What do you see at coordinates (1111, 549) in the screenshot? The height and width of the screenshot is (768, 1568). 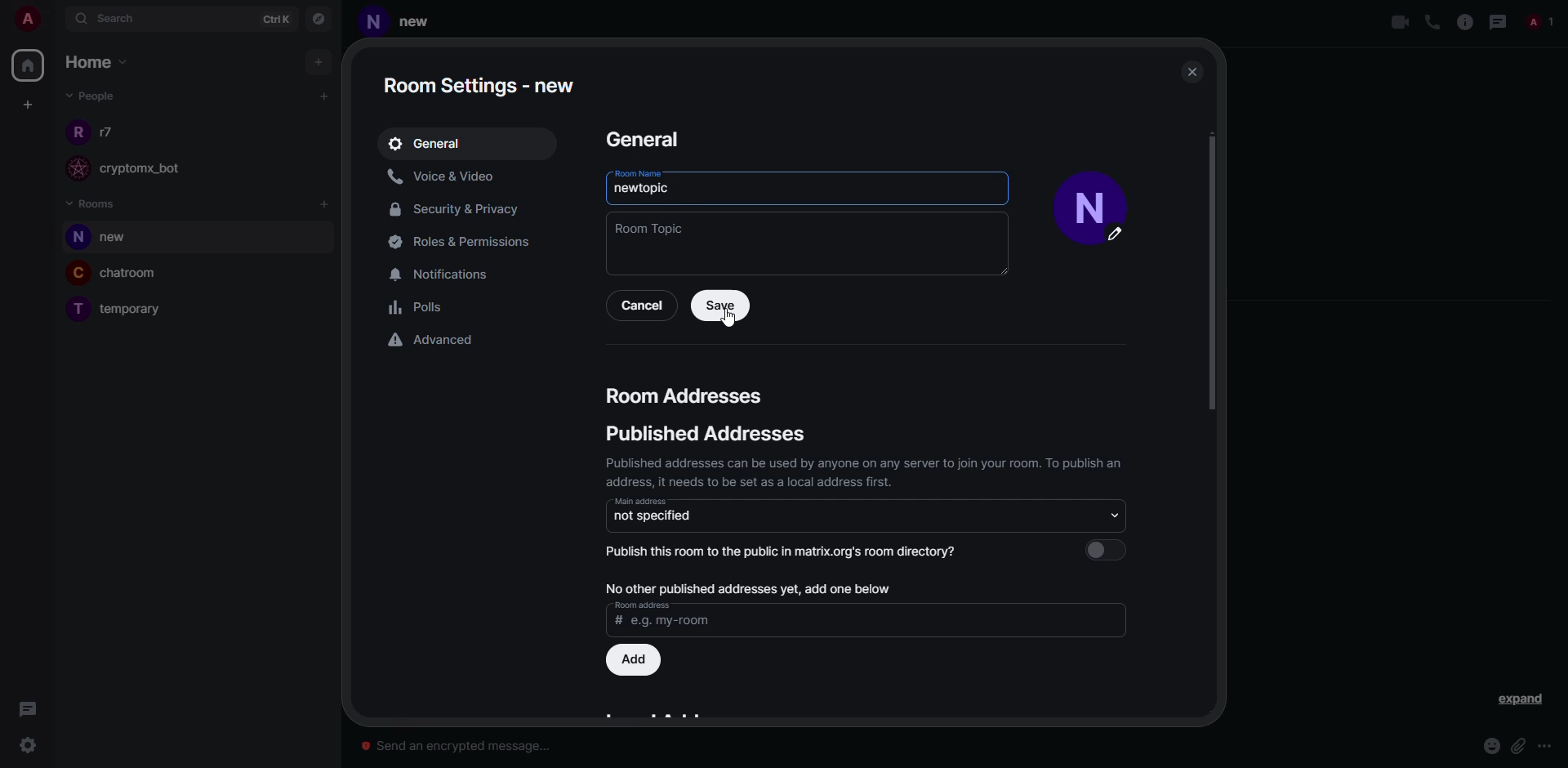 I see `enable` at bounding box center [1111, 549].